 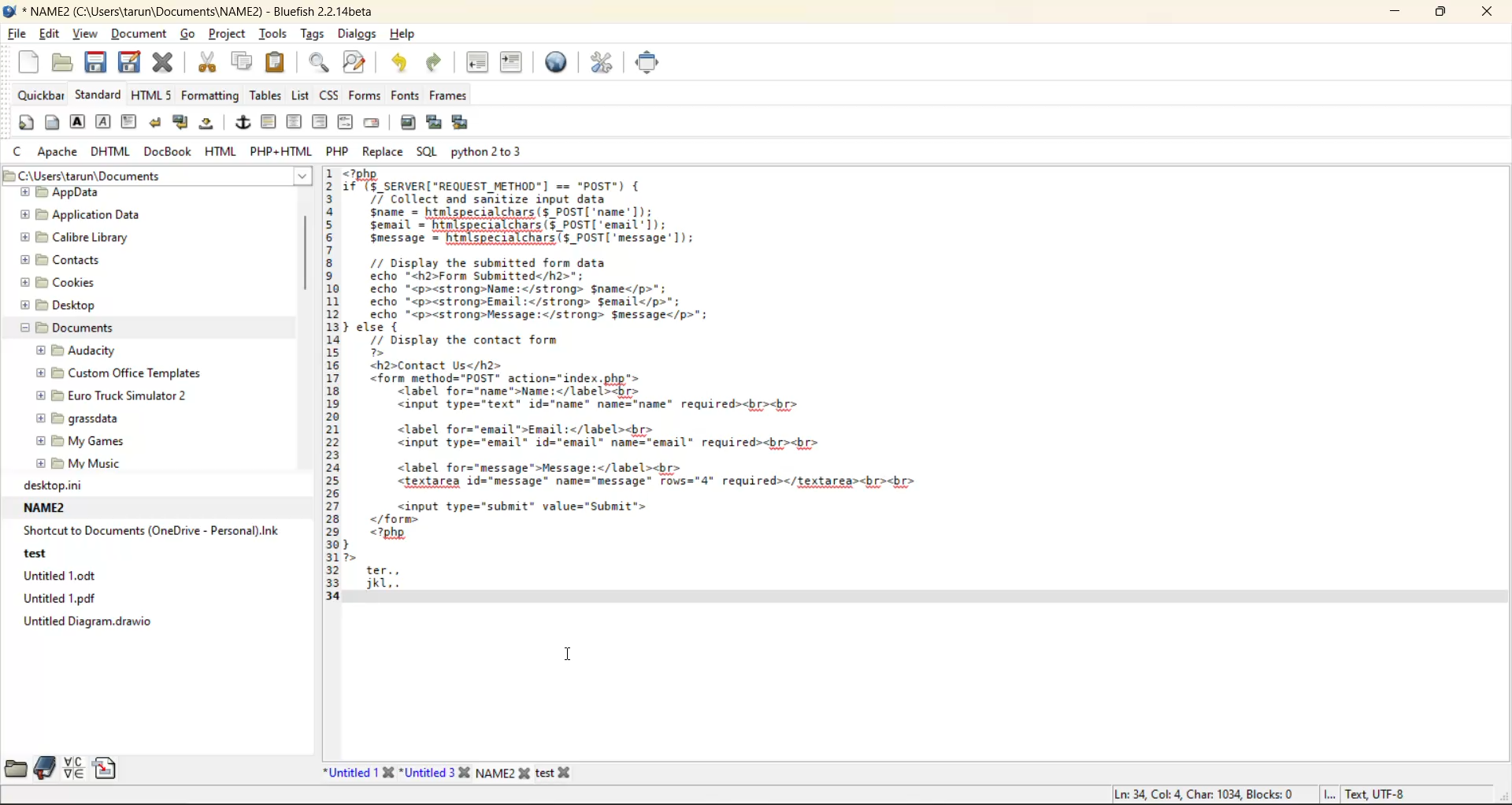 I want to click on open, so click(x=59, y=62).